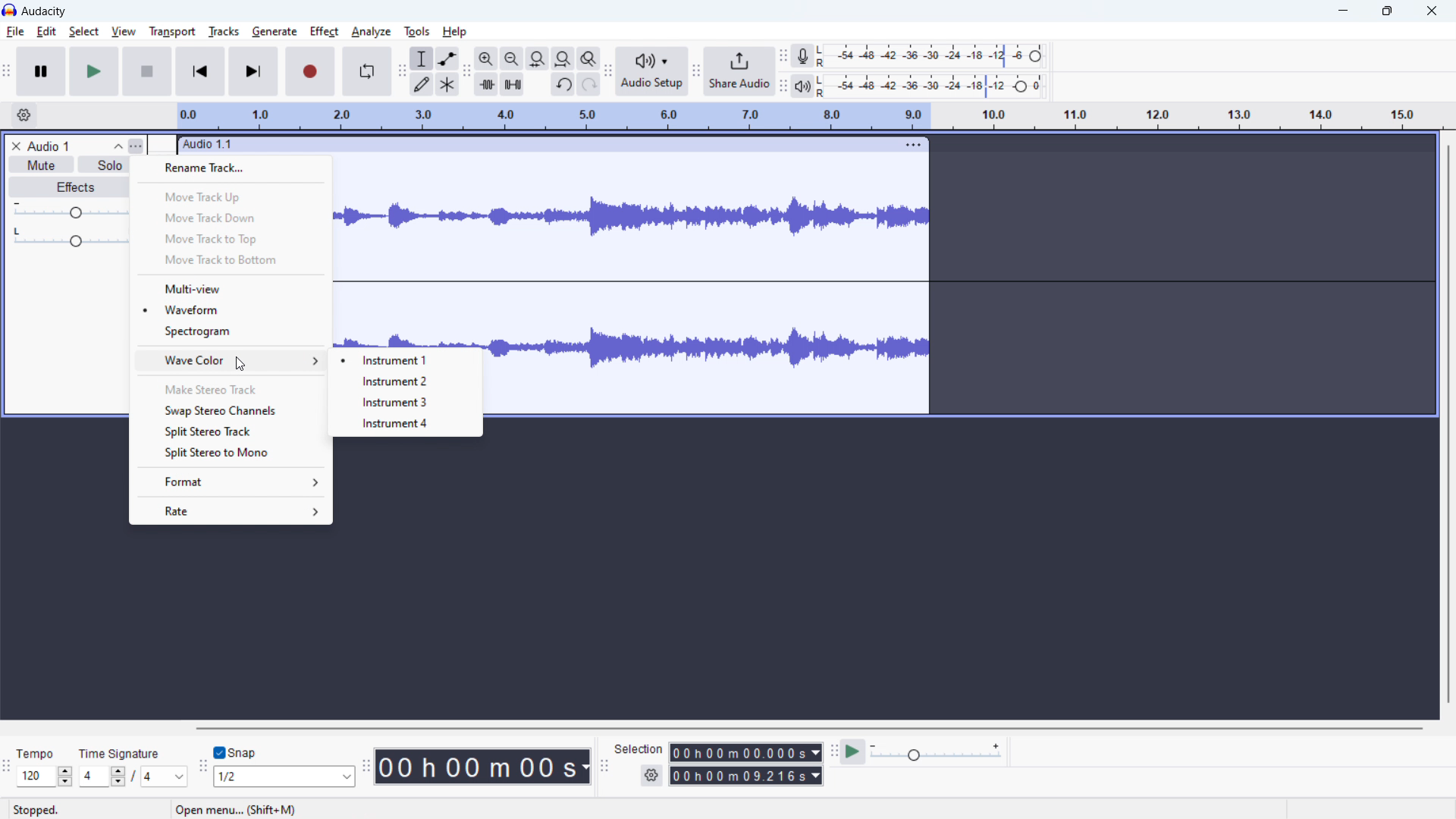 This screenshot has width=1456, height=819. Describe the element at coordinates (372, 32) in the screenshot. I see `analyze` at that location.